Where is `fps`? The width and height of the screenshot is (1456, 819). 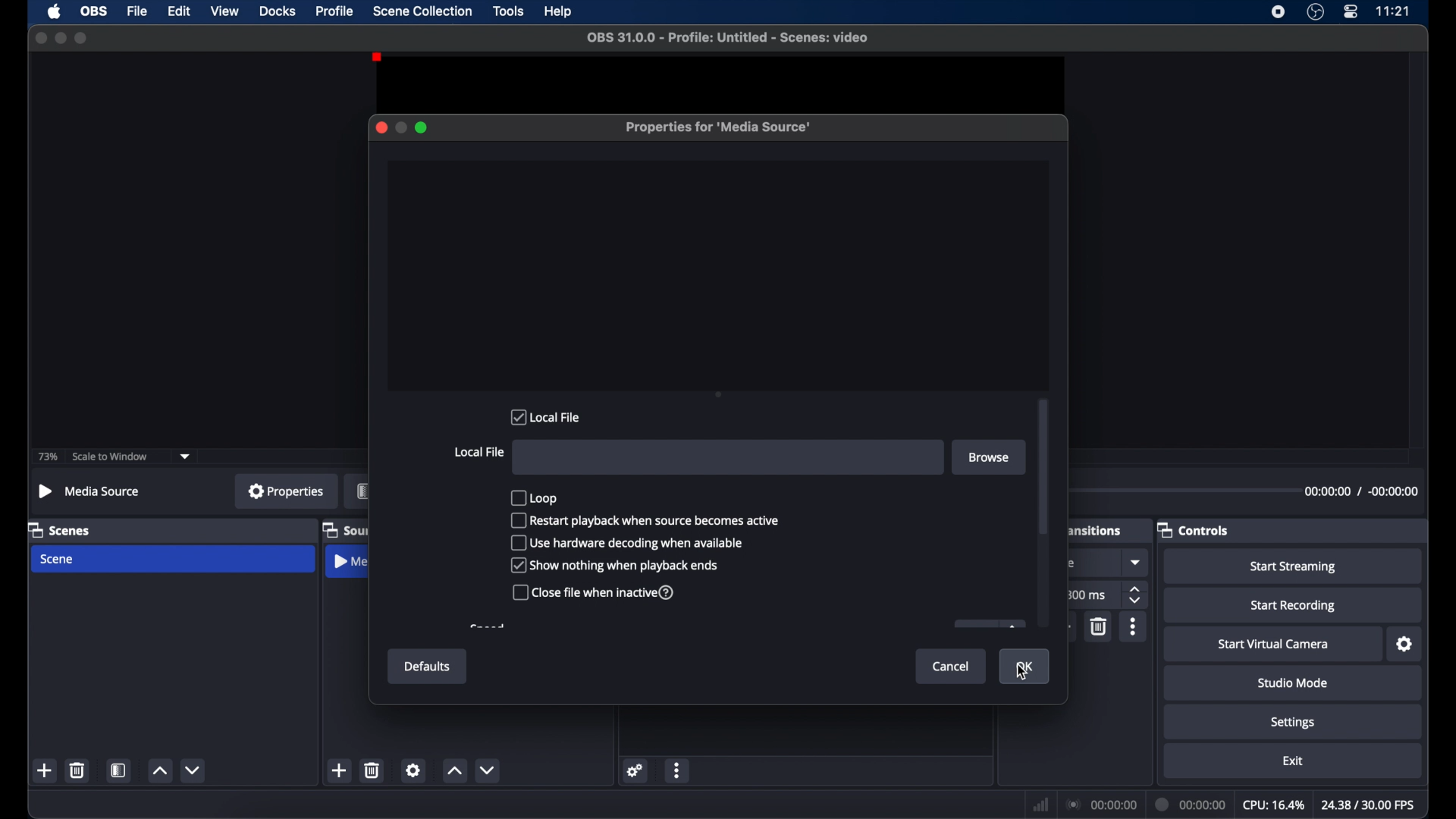
fps is located at coordinates (1368, 805).